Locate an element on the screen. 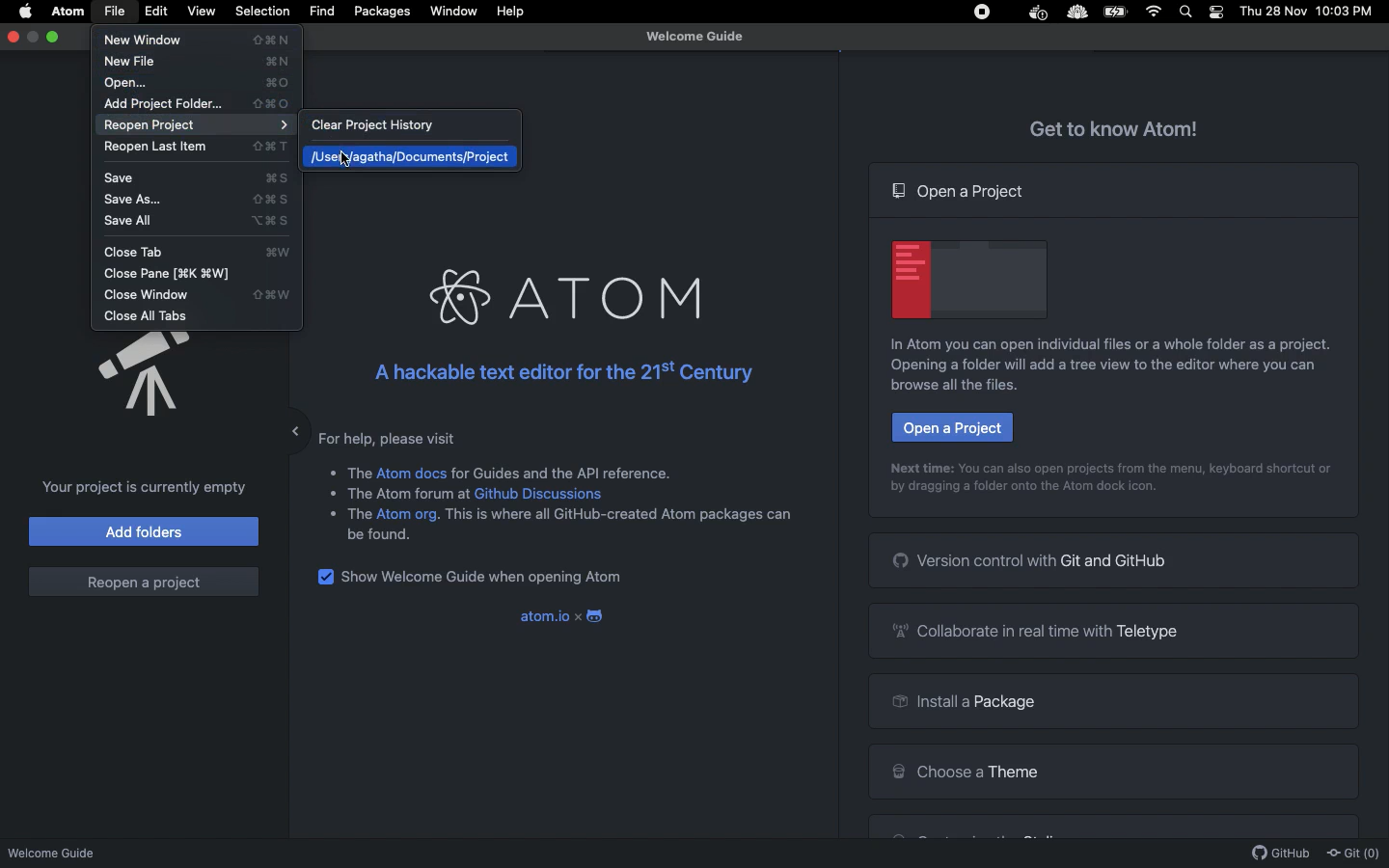 The width and height of the screenshot is (1389, 868). Packages is located at coordinates (382, 14).